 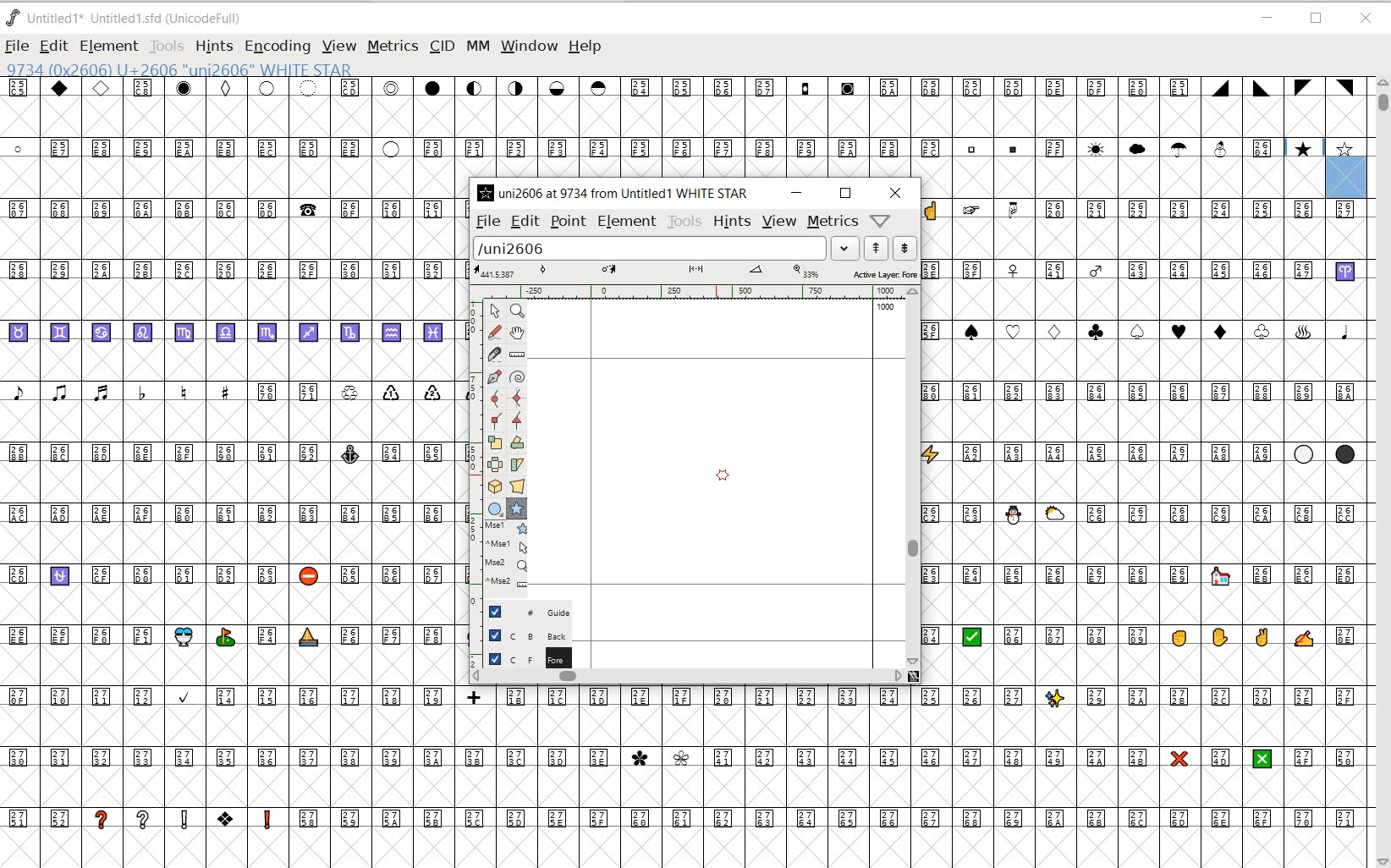 I want to click on DRAW A FREEHAND, so click(x=494, y=332).